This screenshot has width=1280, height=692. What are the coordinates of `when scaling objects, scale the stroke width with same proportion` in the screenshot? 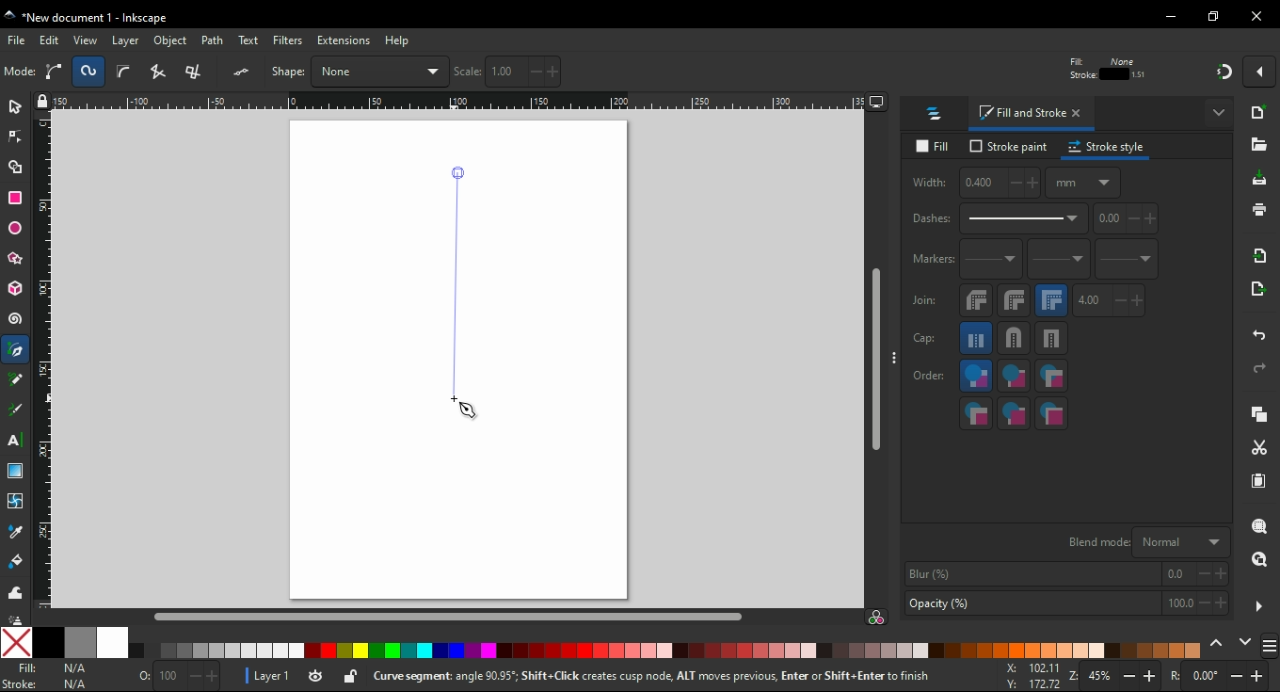 It's located at (1068, 71).